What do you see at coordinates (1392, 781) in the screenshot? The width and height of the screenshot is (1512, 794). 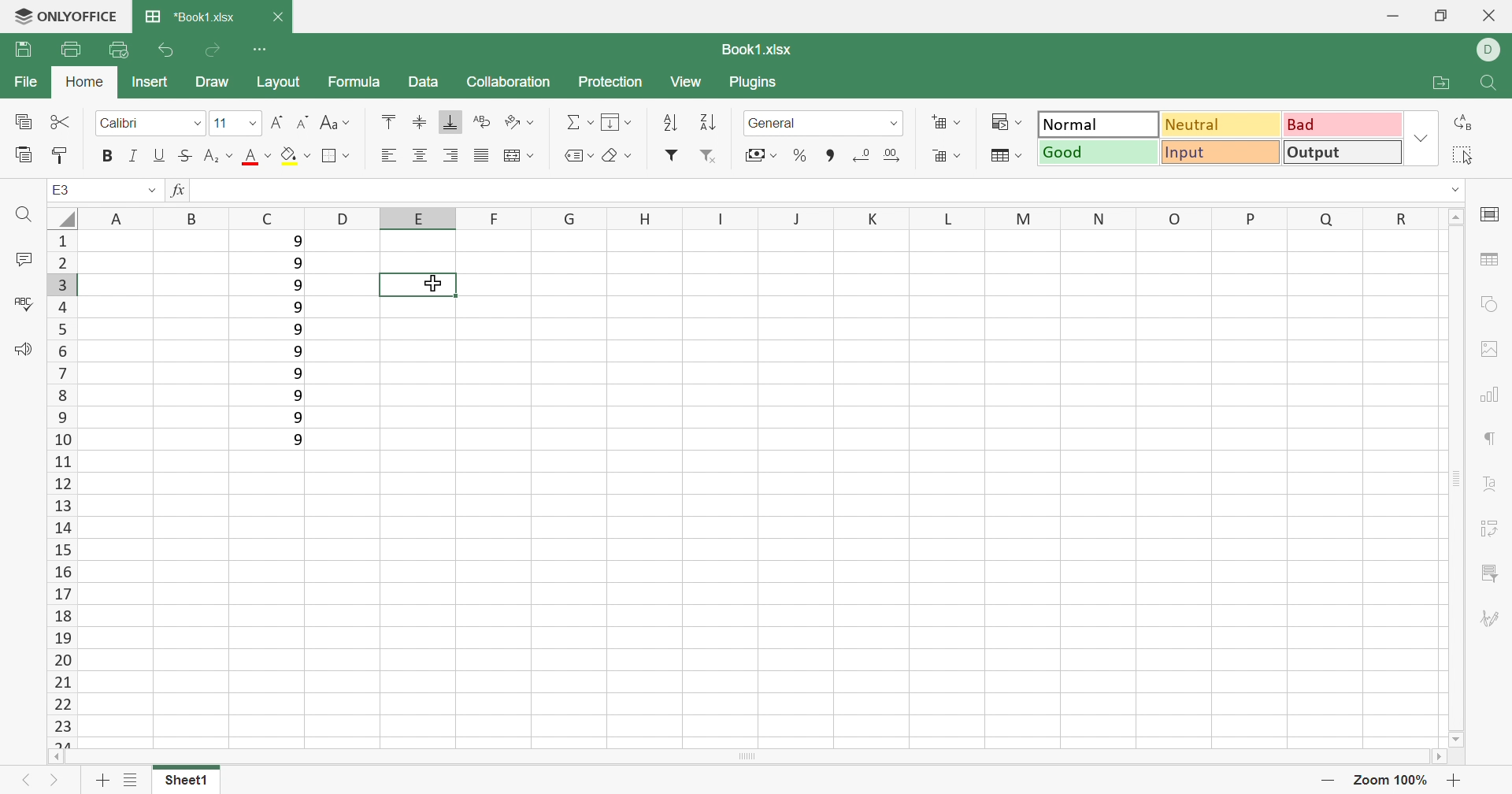 I see `Zoom 100%` at bounding box center [1392, 781].